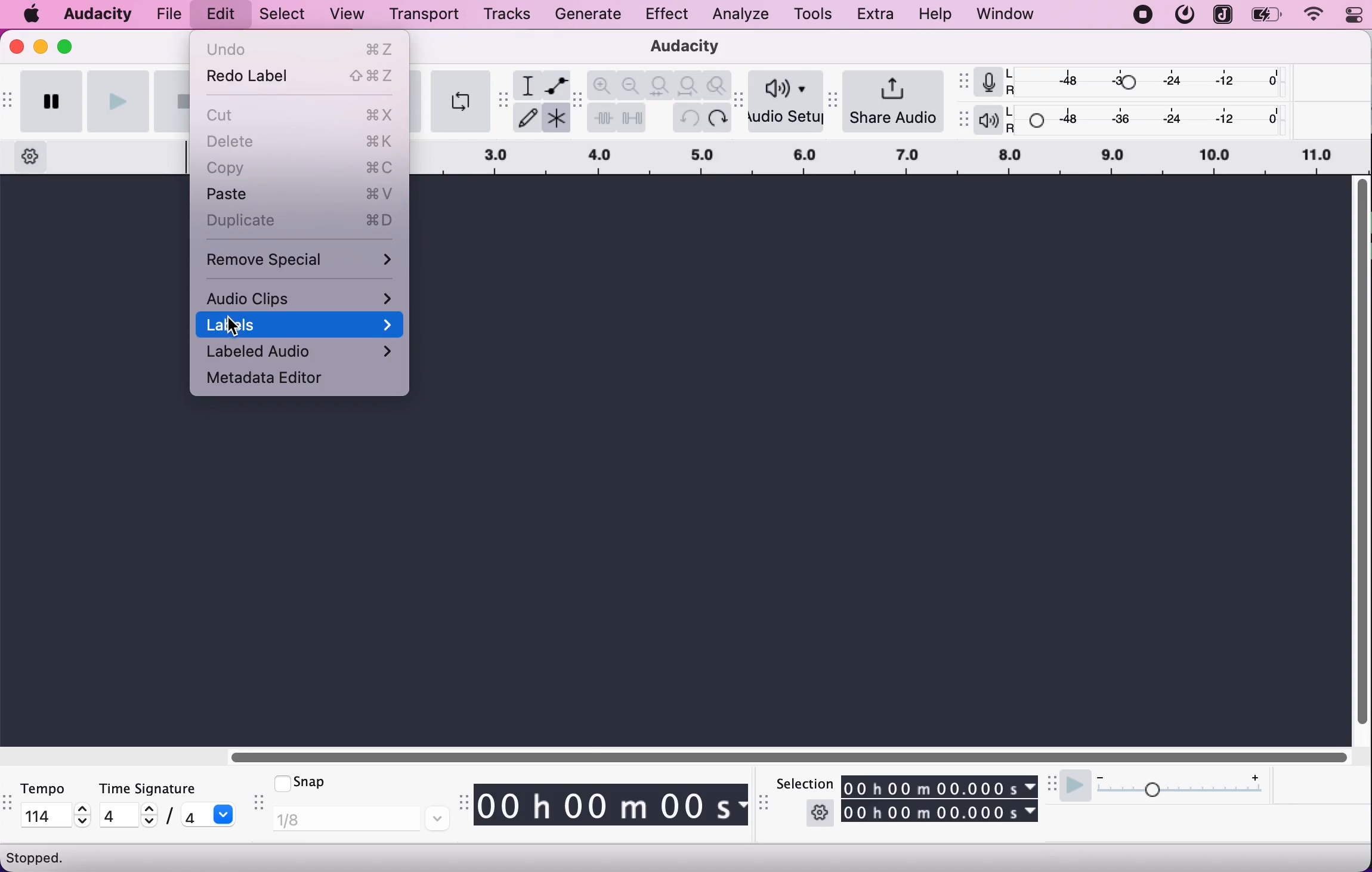  Describe the element at coordinates (72, 45) in the screenshot. I see `maximize` at that location.